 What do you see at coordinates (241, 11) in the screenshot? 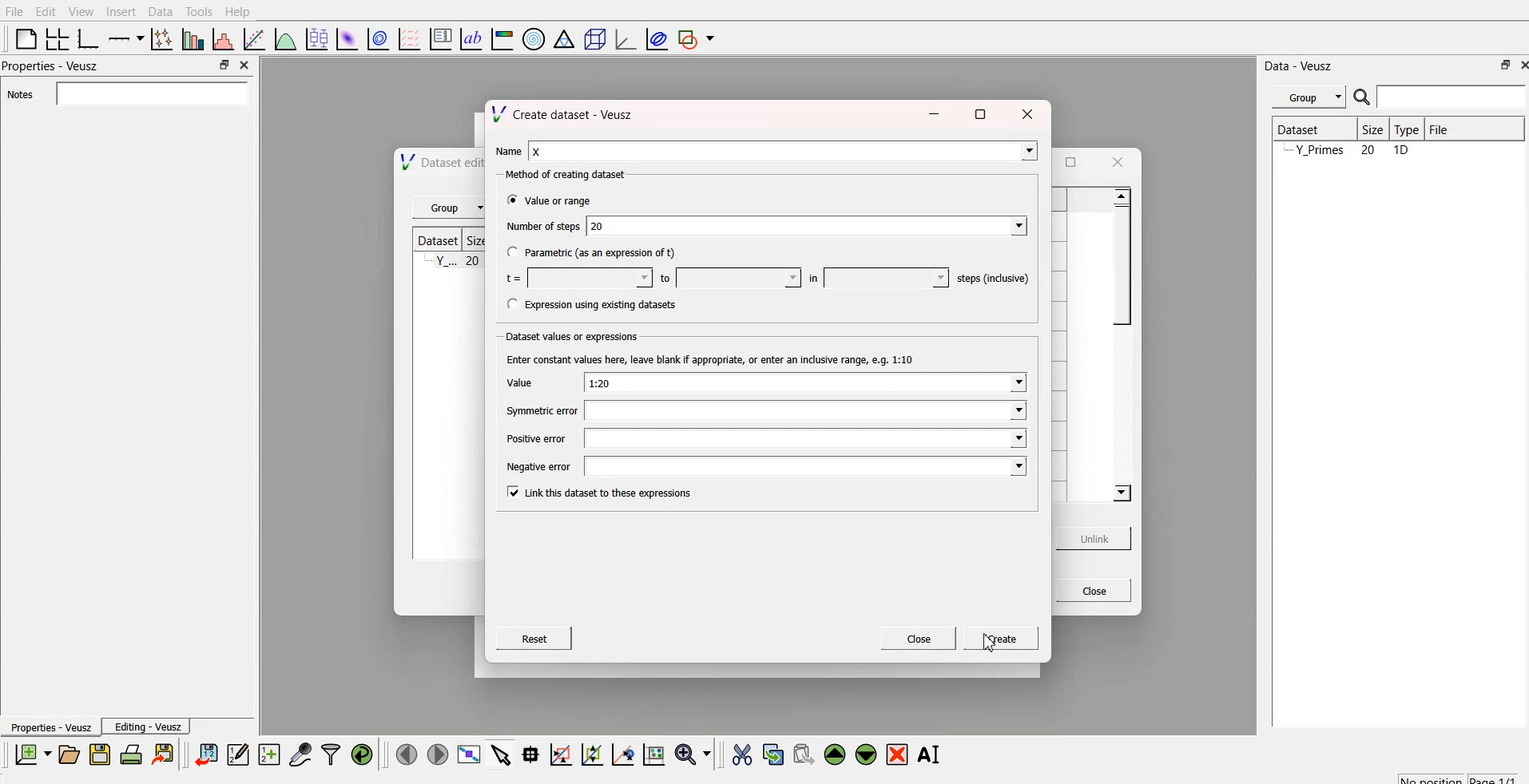
I see `Help` at bounding box center [241, 11].